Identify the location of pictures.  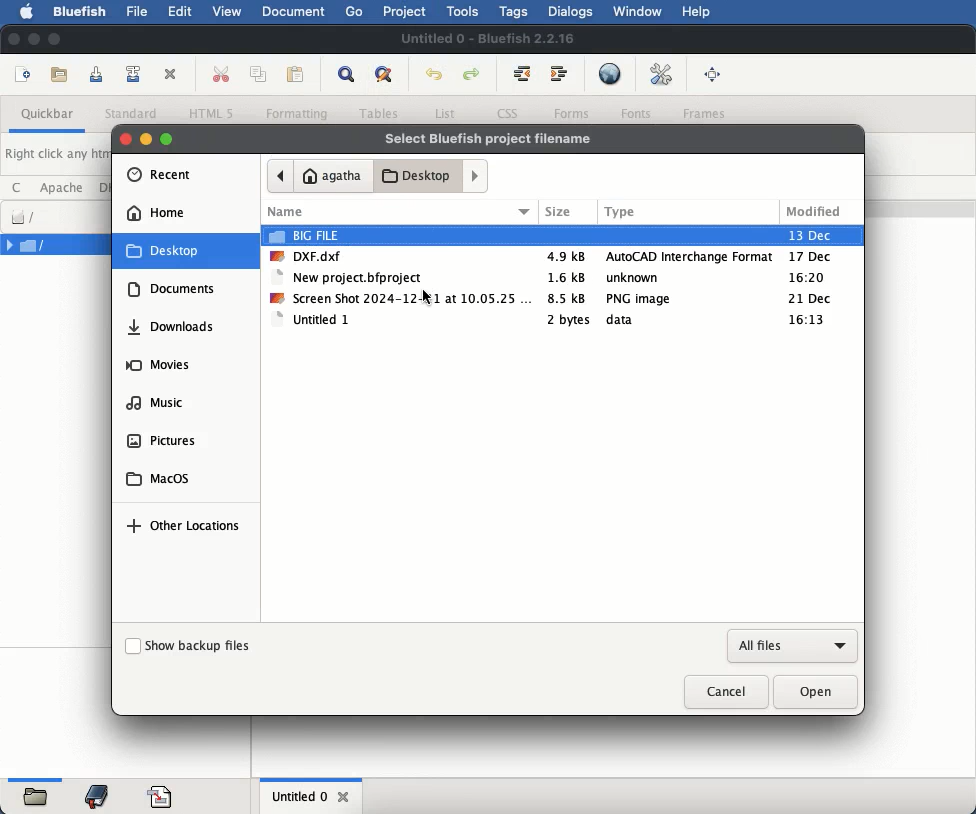
(162, 441).